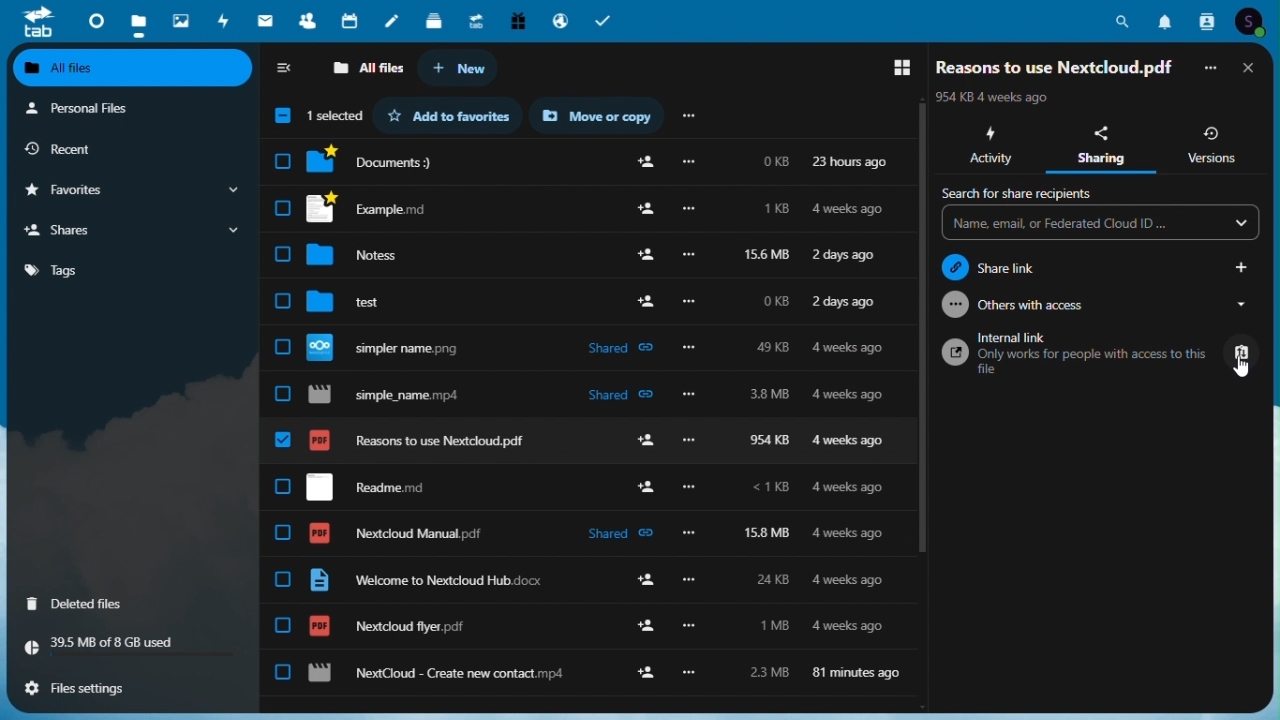  Describe the element at coordinates (690, 302) in the screenshot. I see `` at that location.